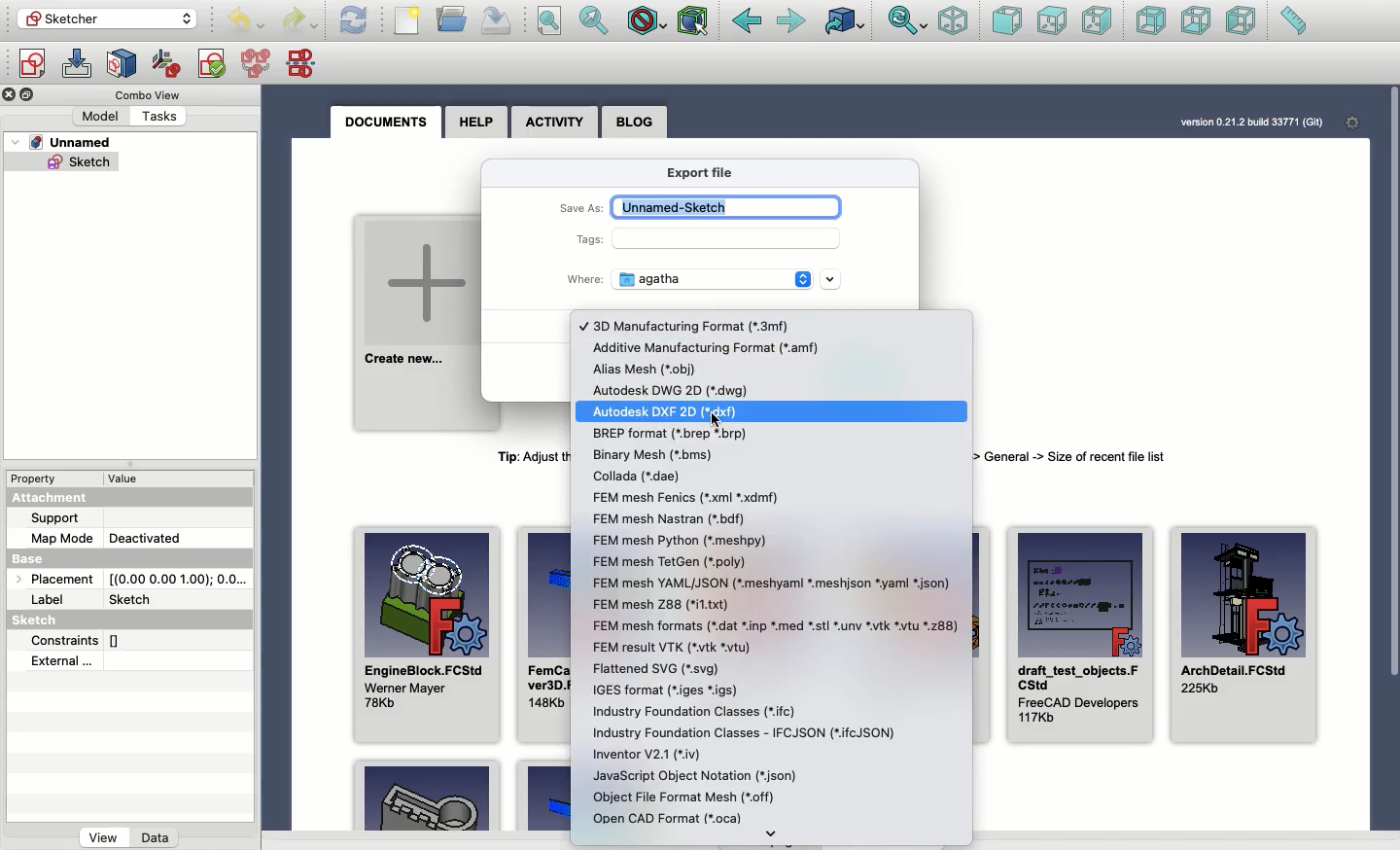  What do you see at coordinates (695, 776) in the screenshot?
I see `json` at bounding box center [695, 776].